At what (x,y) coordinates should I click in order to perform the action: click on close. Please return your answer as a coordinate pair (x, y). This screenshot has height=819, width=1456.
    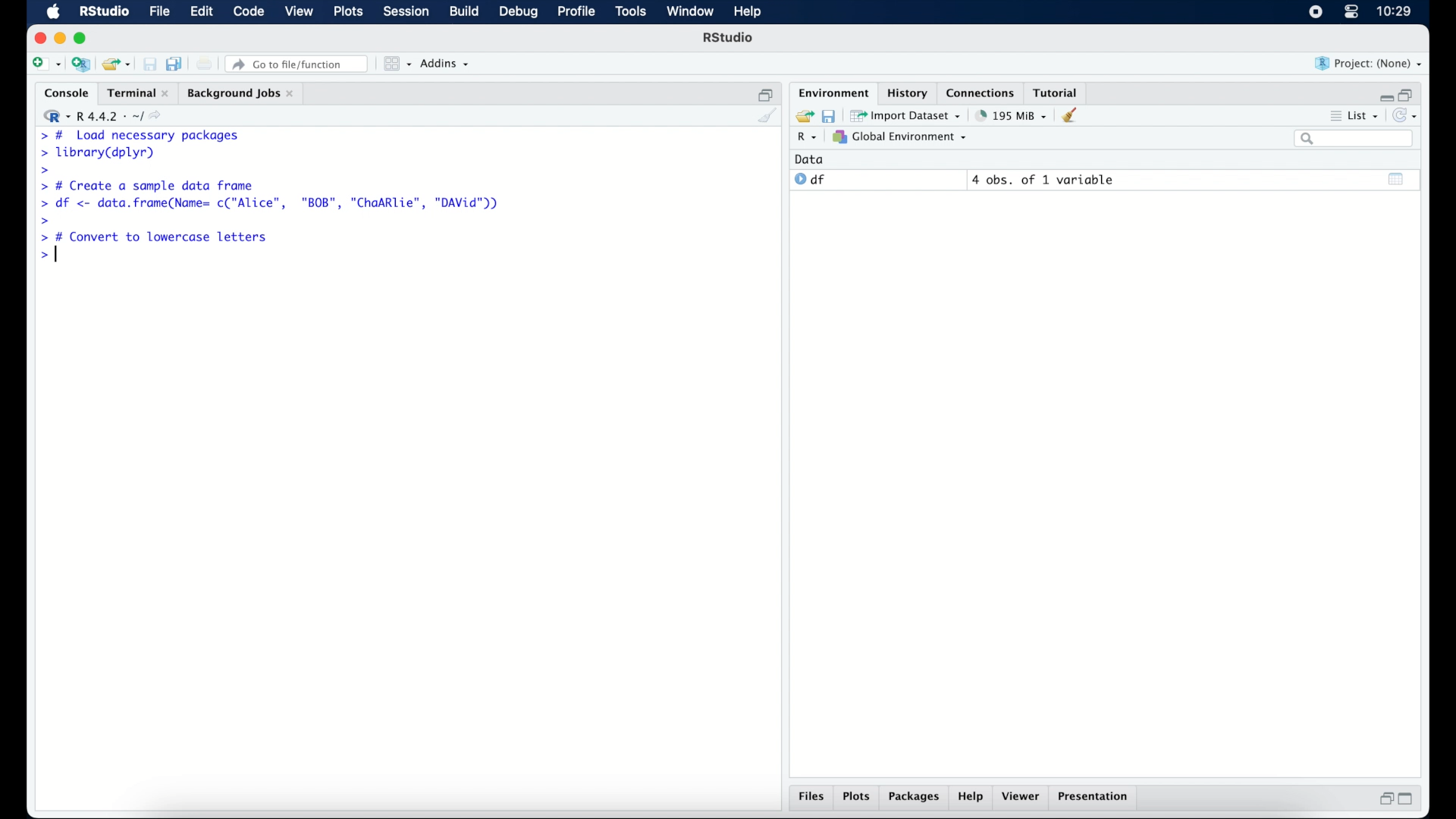
    Looking at the image, I should click on (40, 38).